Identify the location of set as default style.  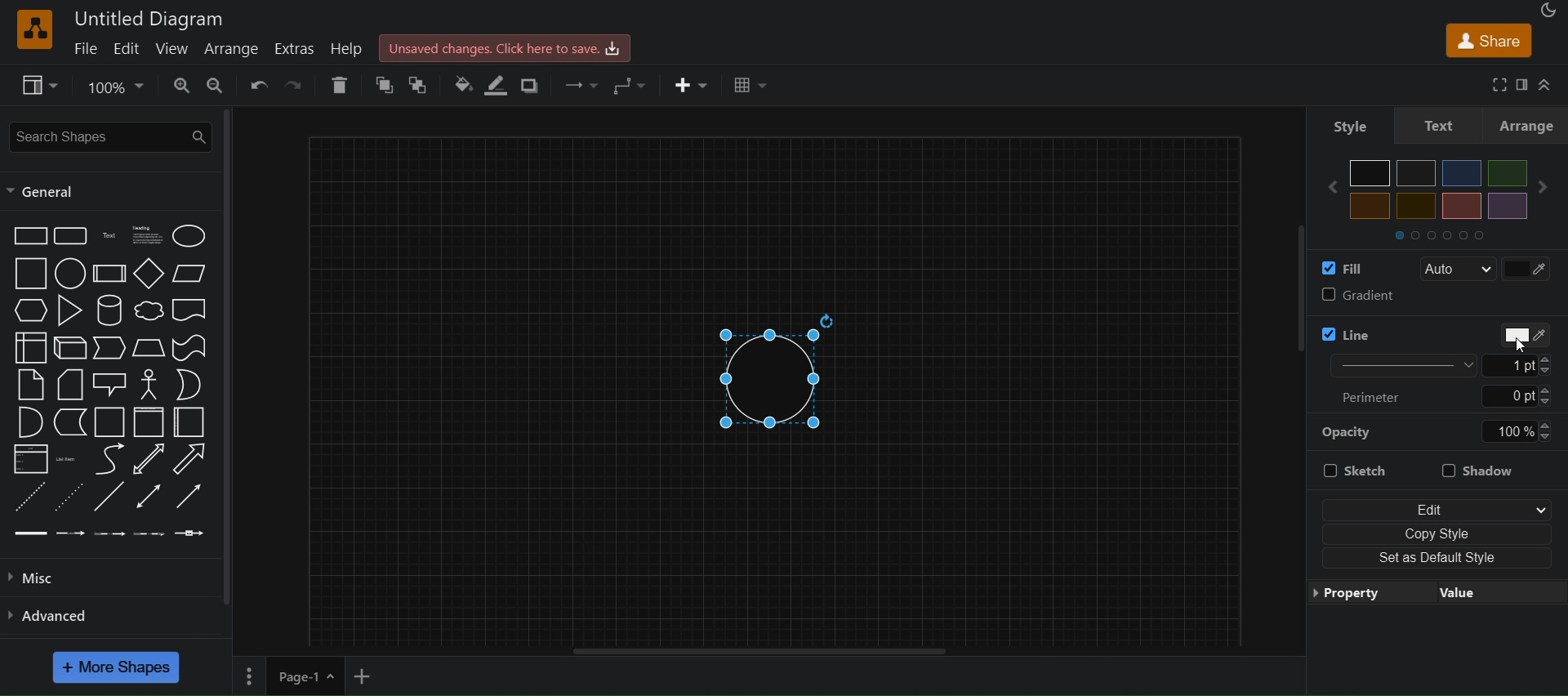
(1439, 559).